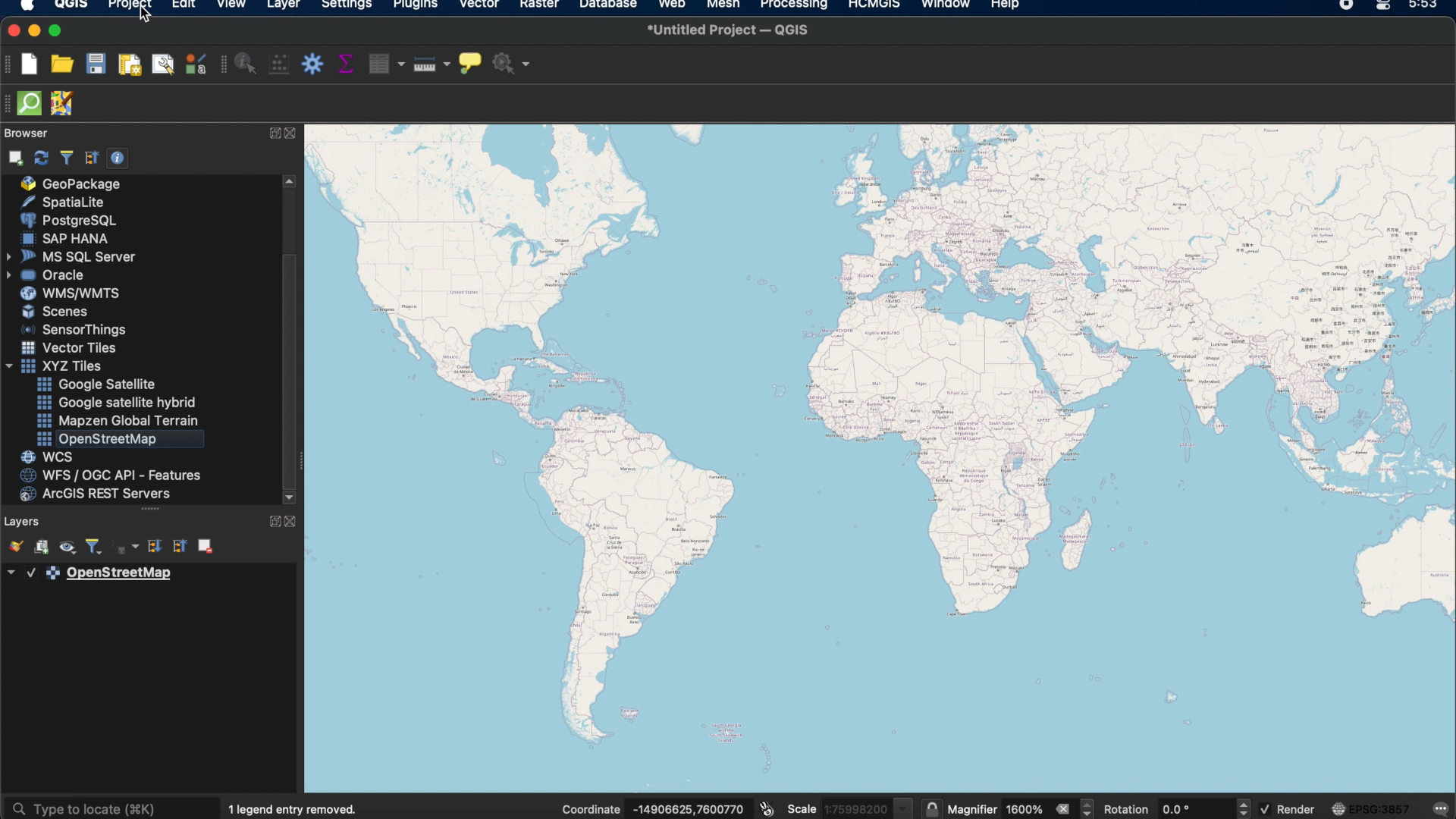 The height and width of the screenshot is (819, 1456). What do you see at coordinates (246, 62) in the screenshot?
I see `identify features` at bounding box center [246, 62].